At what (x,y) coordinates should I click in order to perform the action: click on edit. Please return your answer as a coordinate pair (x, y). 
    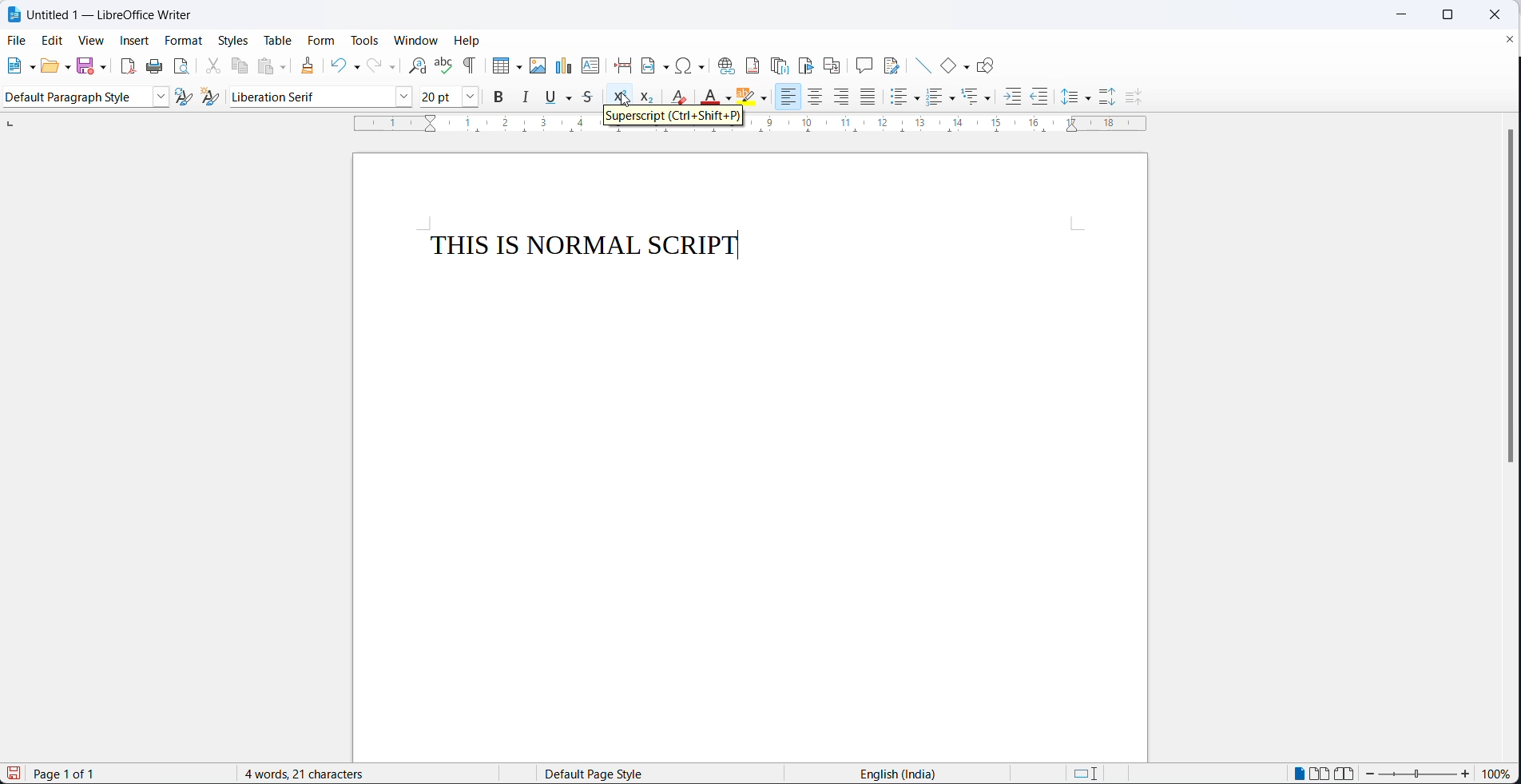
    Looking at the image, I should click on (50, 42).